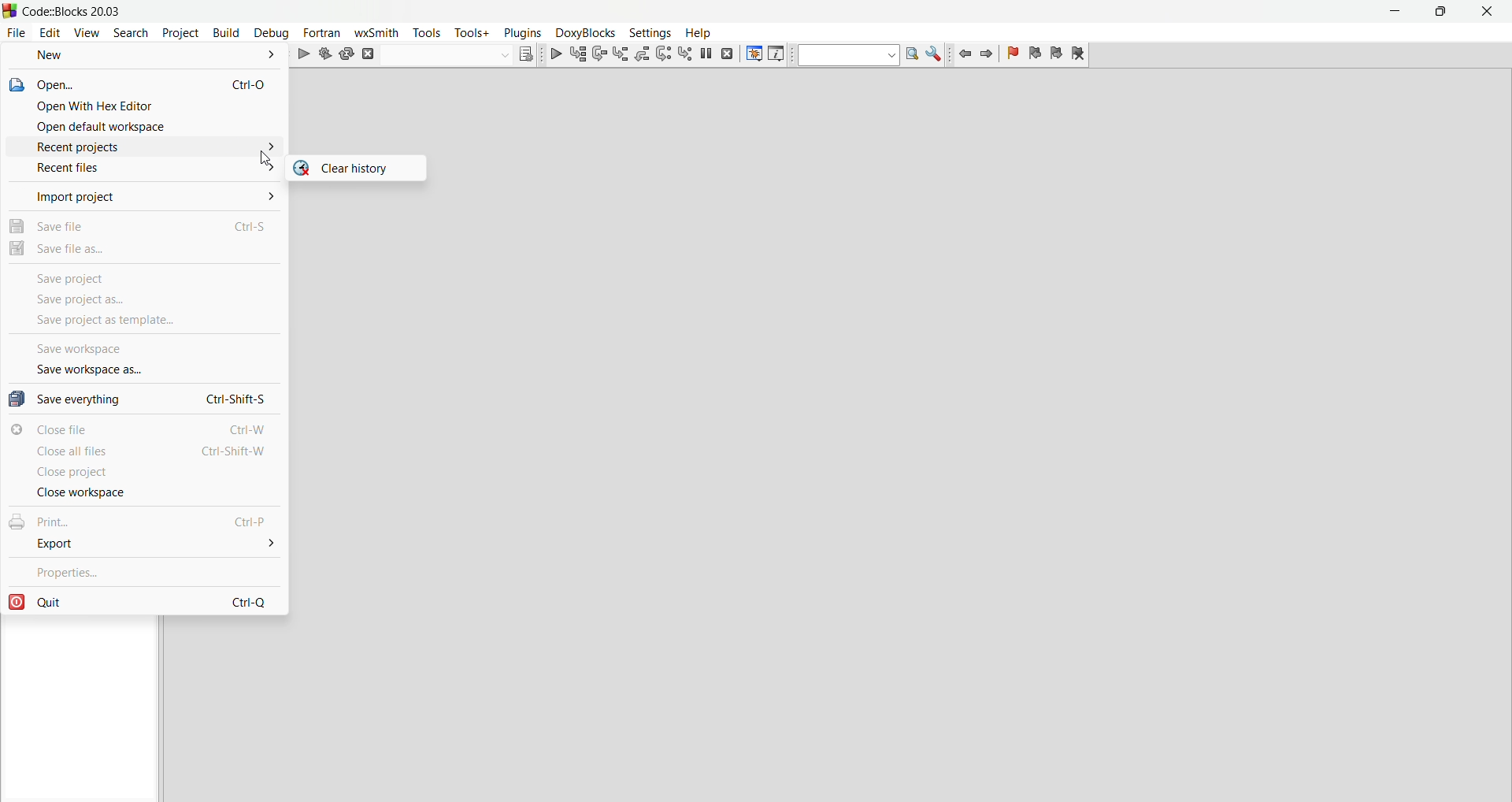 The width and height of the screenshot is (1512, 802). Describe the element at coordinates (912, 56) in the screenshot. I see `run search ` at that location.